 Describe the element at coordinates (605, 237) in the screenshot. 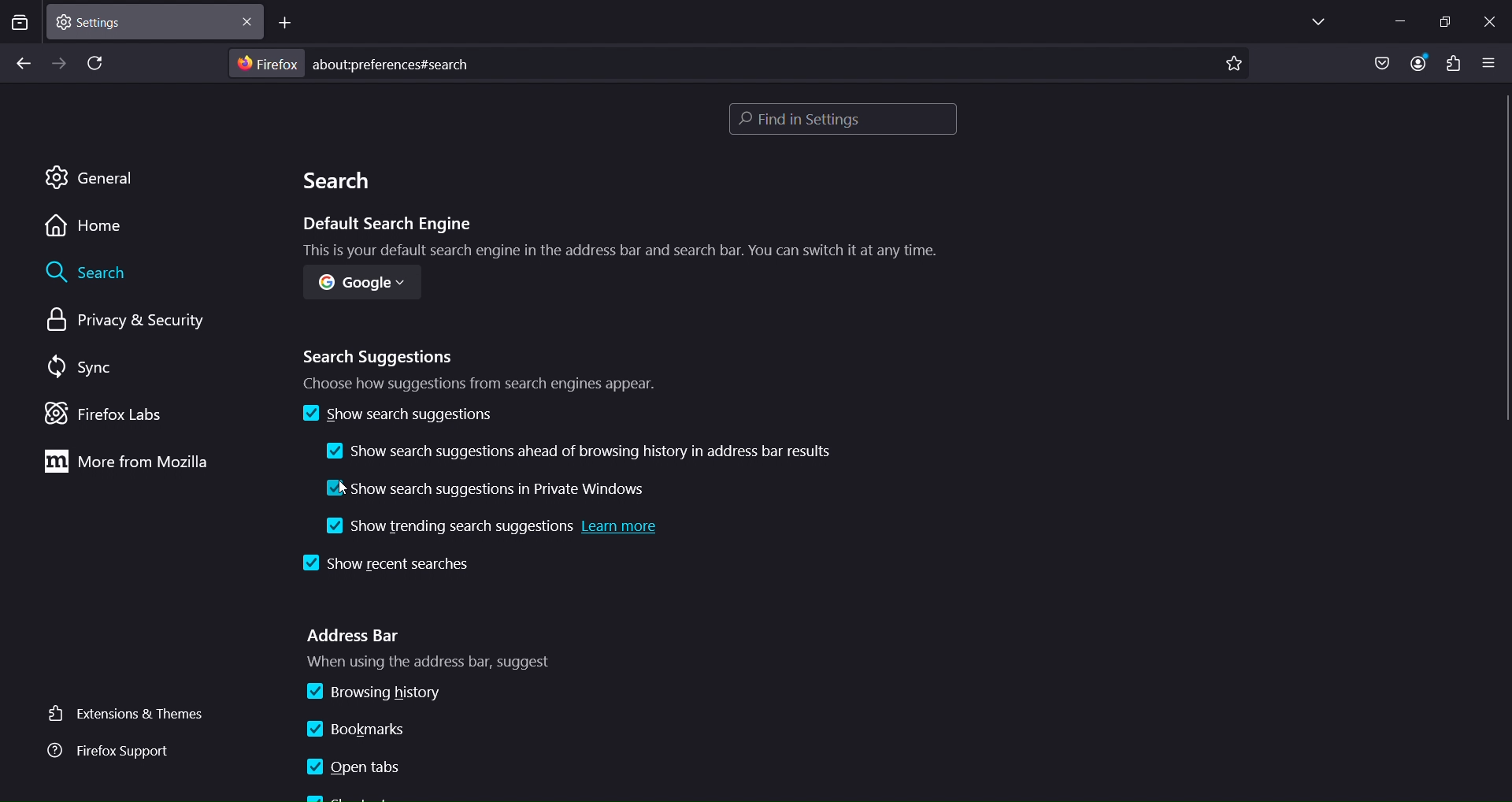

I see `Default Search Engine
This is your default search engine in the address bar and search bar. You can switch it at any time.` at that location.